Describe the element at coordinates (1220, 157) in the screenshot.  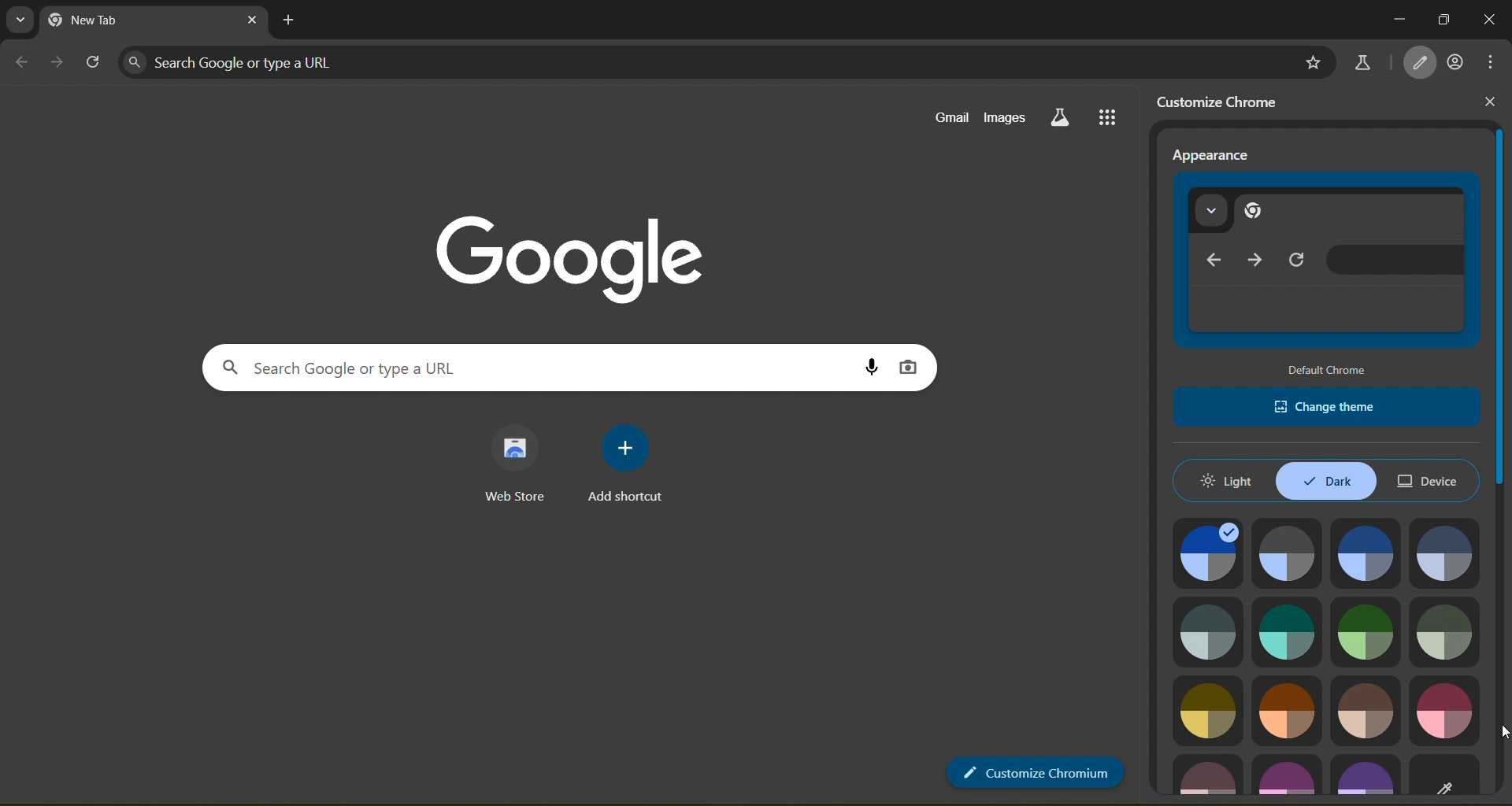
I see `Appearance` at that location.